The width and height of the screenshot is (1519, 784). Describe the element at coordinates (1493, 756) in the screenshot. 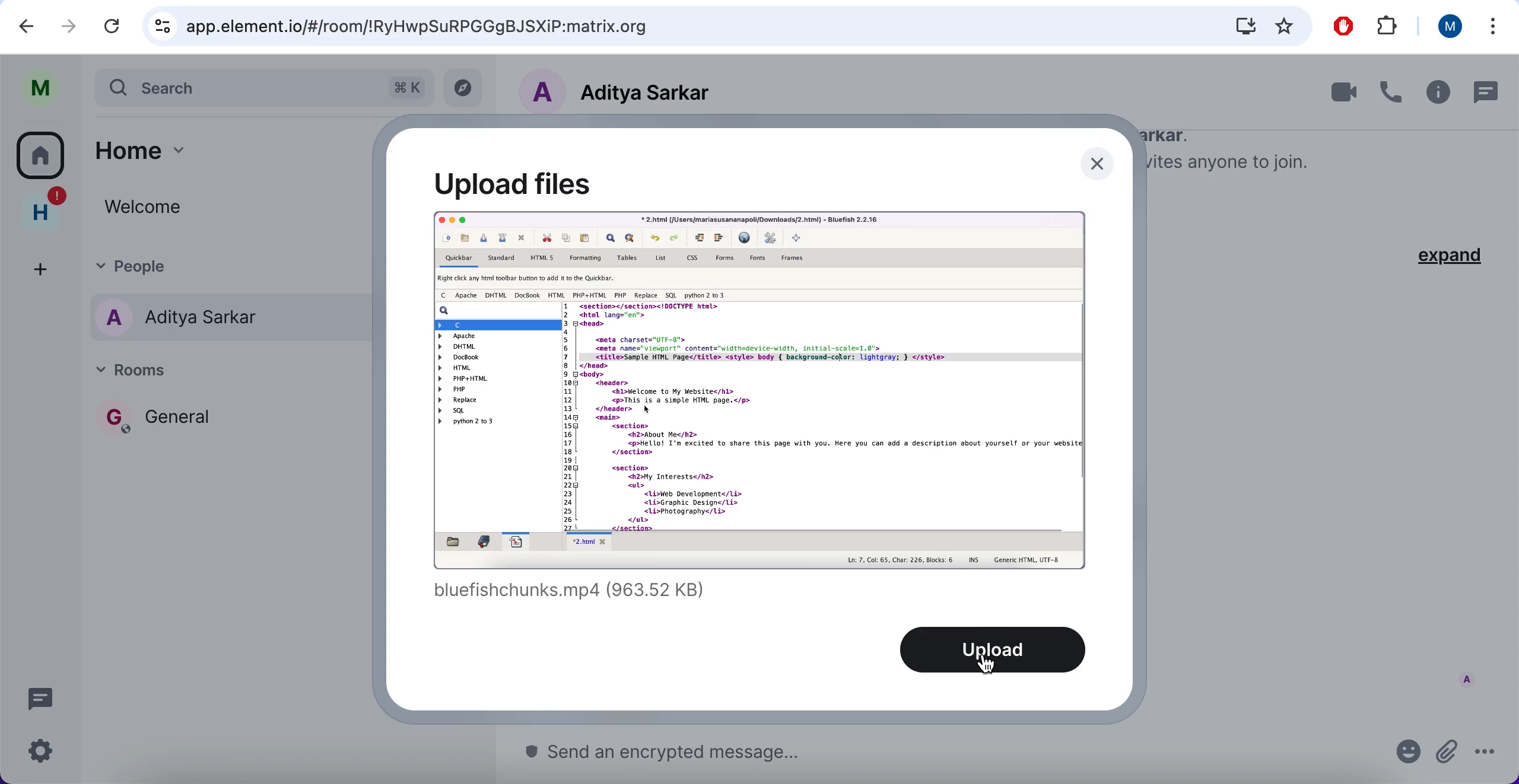

I see `options` at that location.